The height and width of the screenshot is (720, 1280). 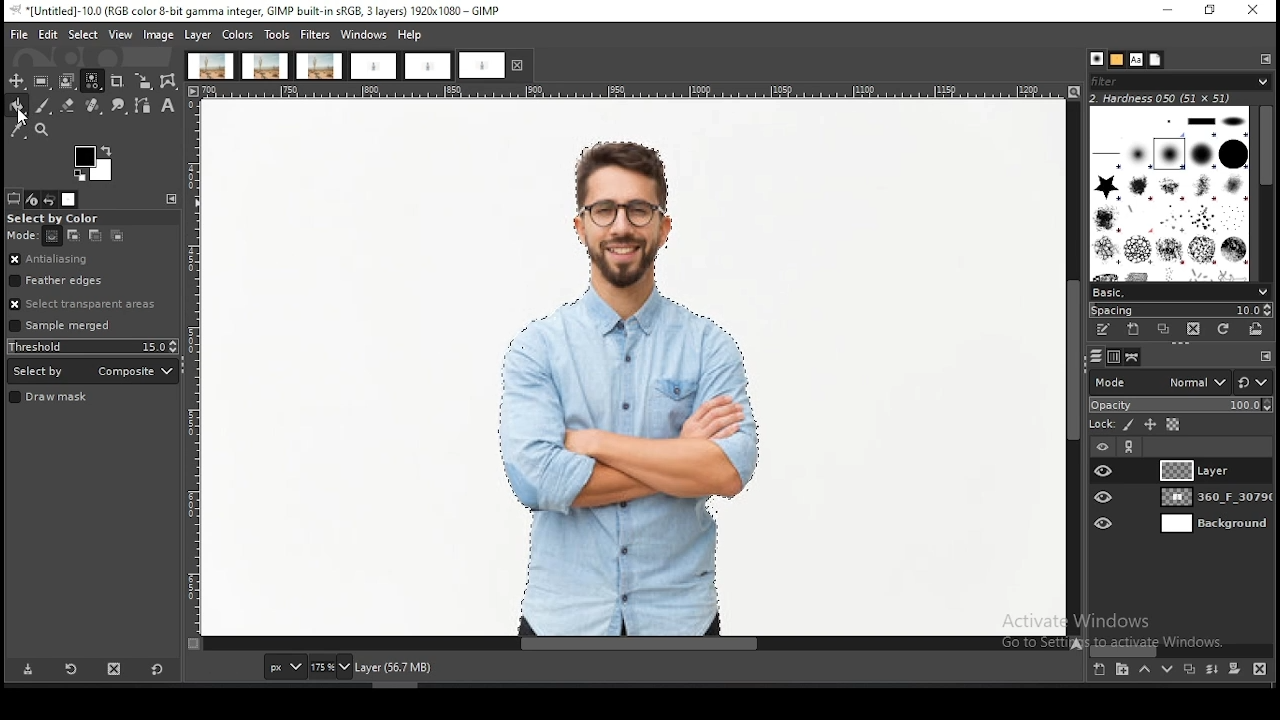 What do you see at coordinates (1096, 59) in the screenshot?
I see `brushes` at bounding box center [1096, 59].